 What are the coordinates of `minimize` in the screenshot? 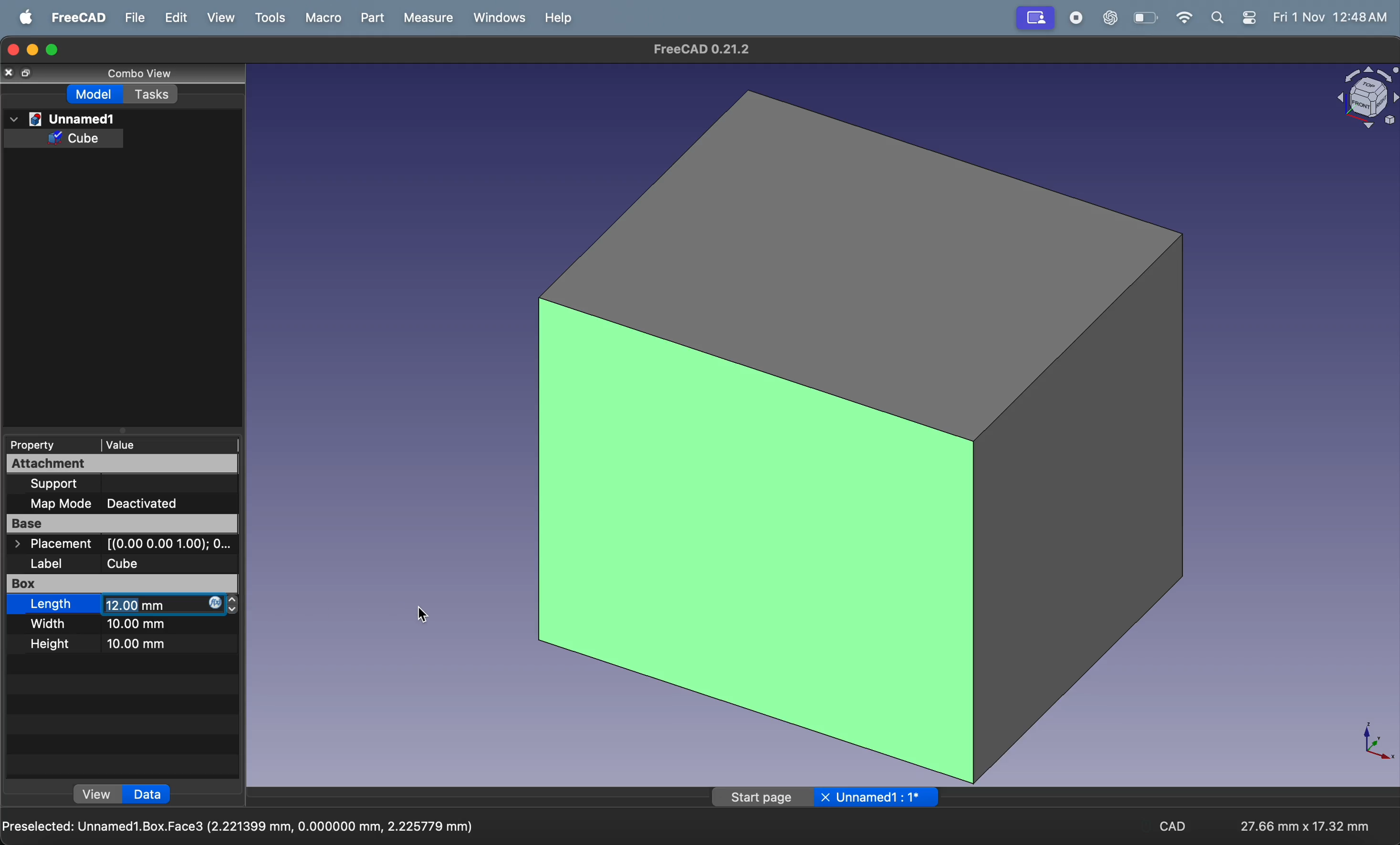 It's located at (35, 49).